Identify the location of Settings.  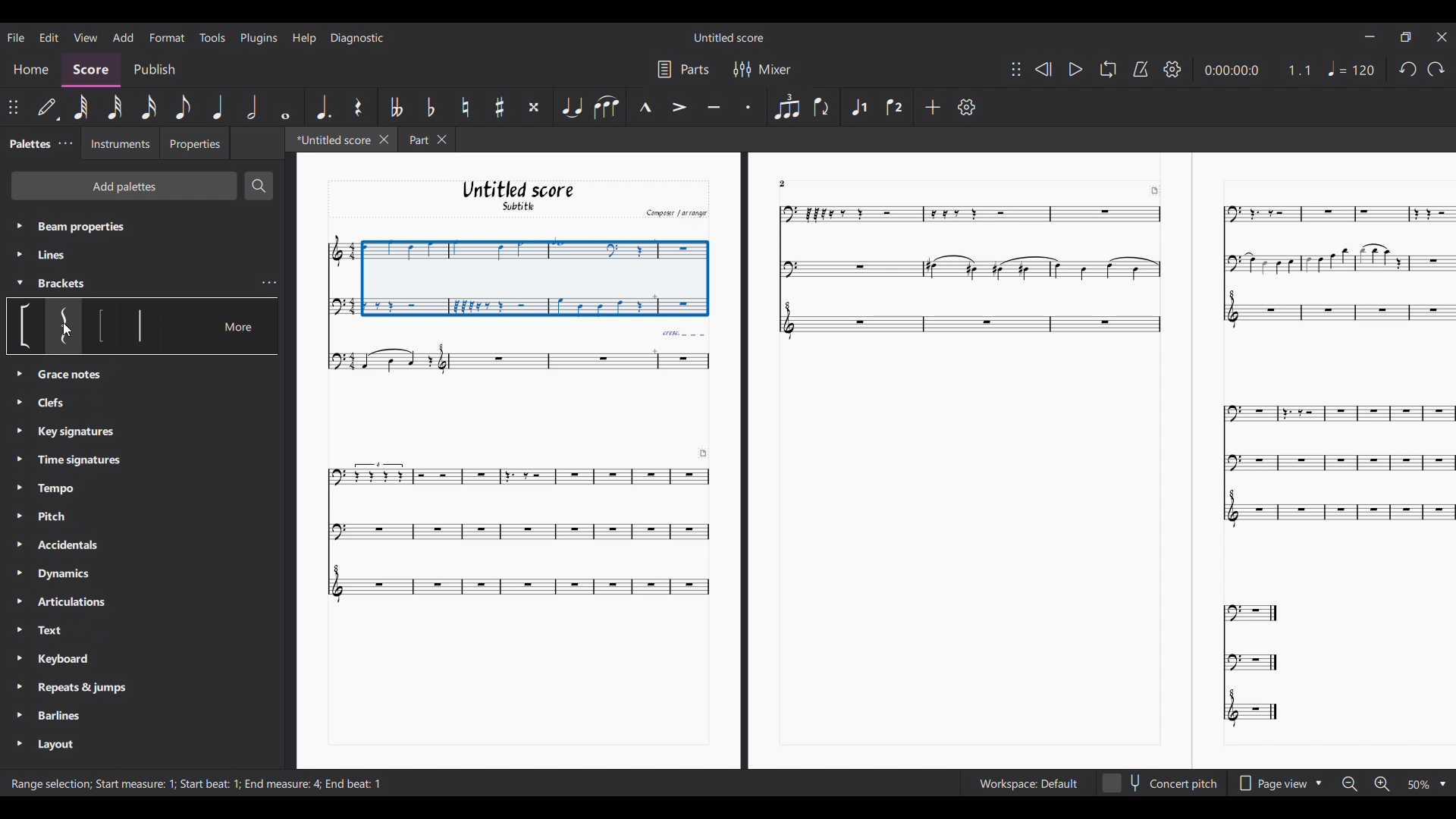
(966, 107).